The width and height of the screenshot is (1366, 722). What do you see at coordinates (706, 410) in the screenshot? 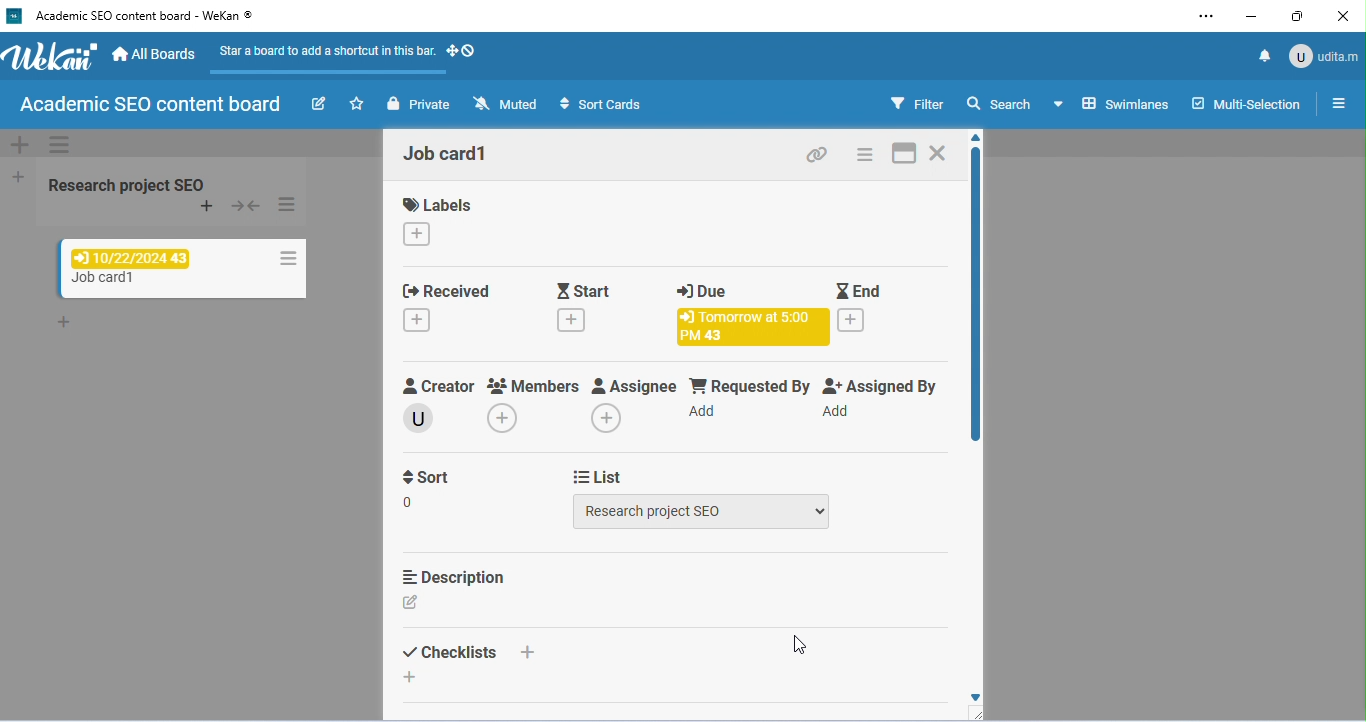
I see `add requester` at bounding box center [706, 410].